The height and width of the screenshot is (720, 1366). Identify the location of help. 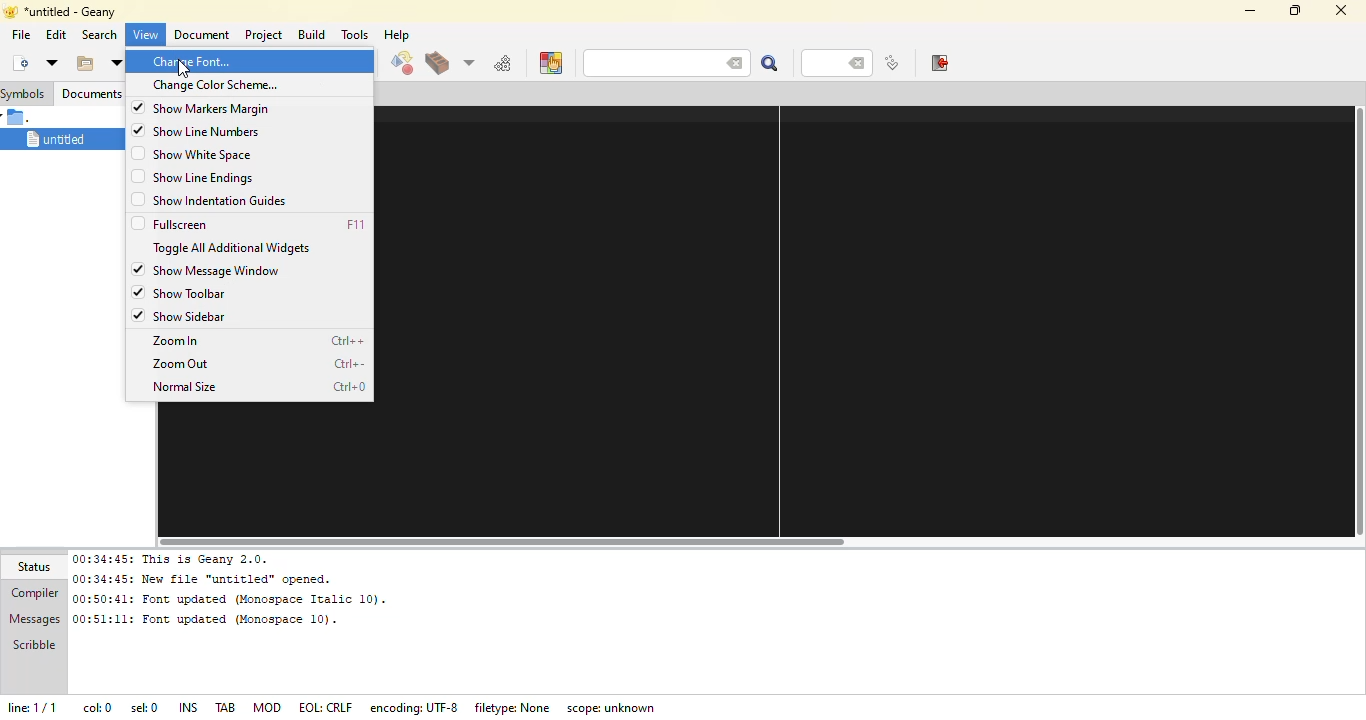
(395, 35).